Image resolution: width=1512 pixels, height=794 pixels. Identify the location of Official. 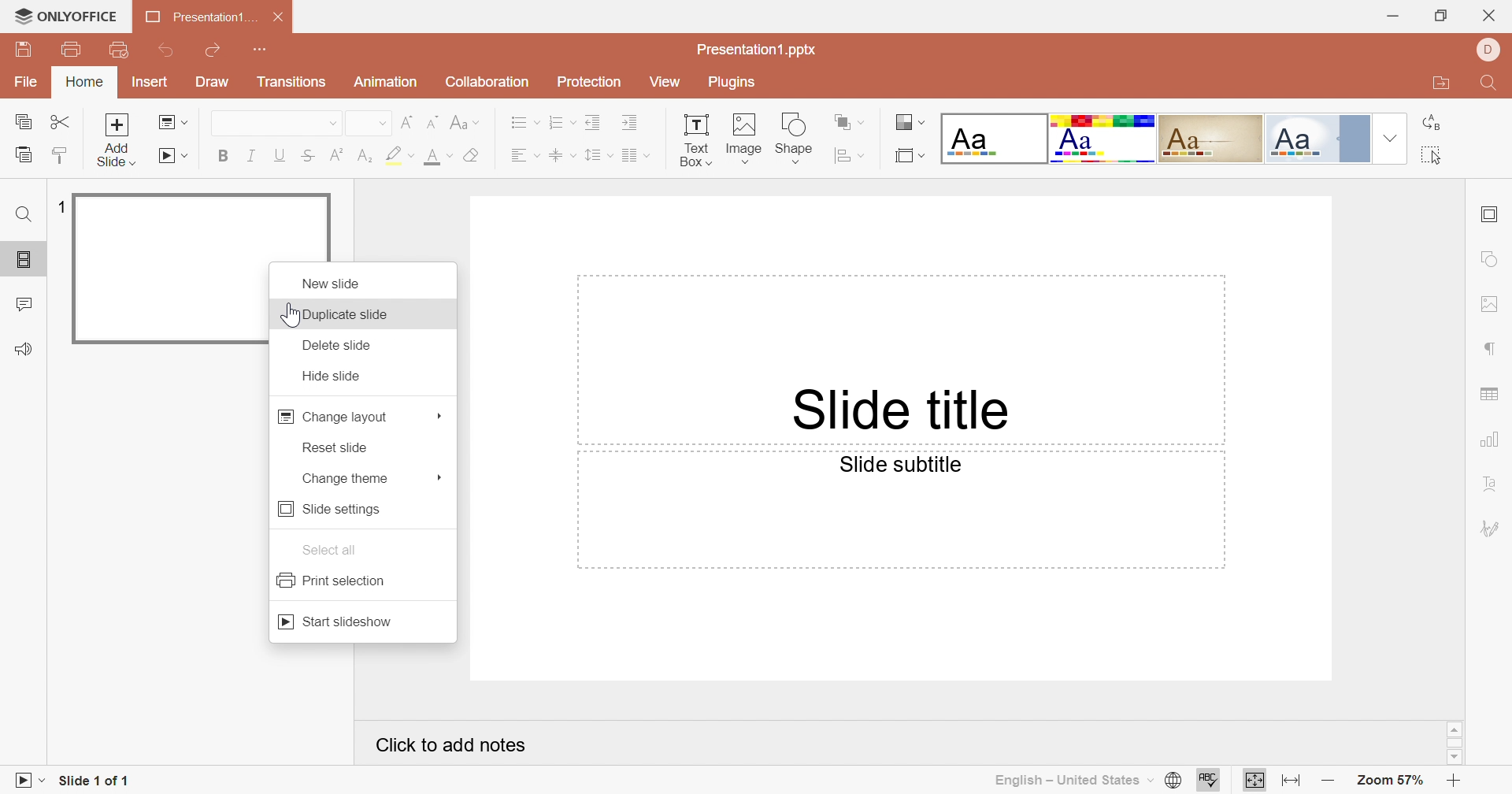
(1319, 141).